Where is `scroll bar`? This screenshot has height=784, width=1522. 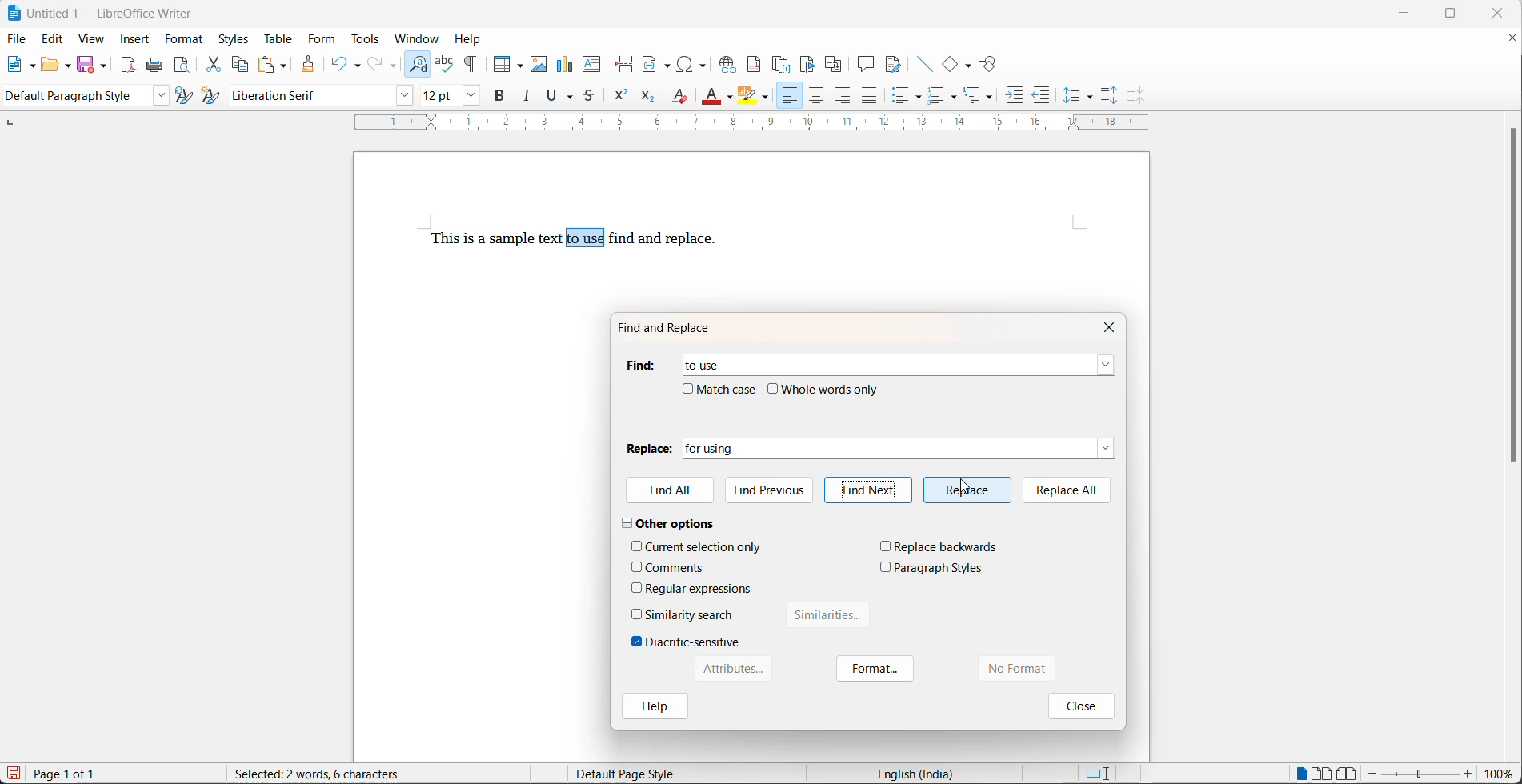 scroll bar is located at coordinates (1512, 303).